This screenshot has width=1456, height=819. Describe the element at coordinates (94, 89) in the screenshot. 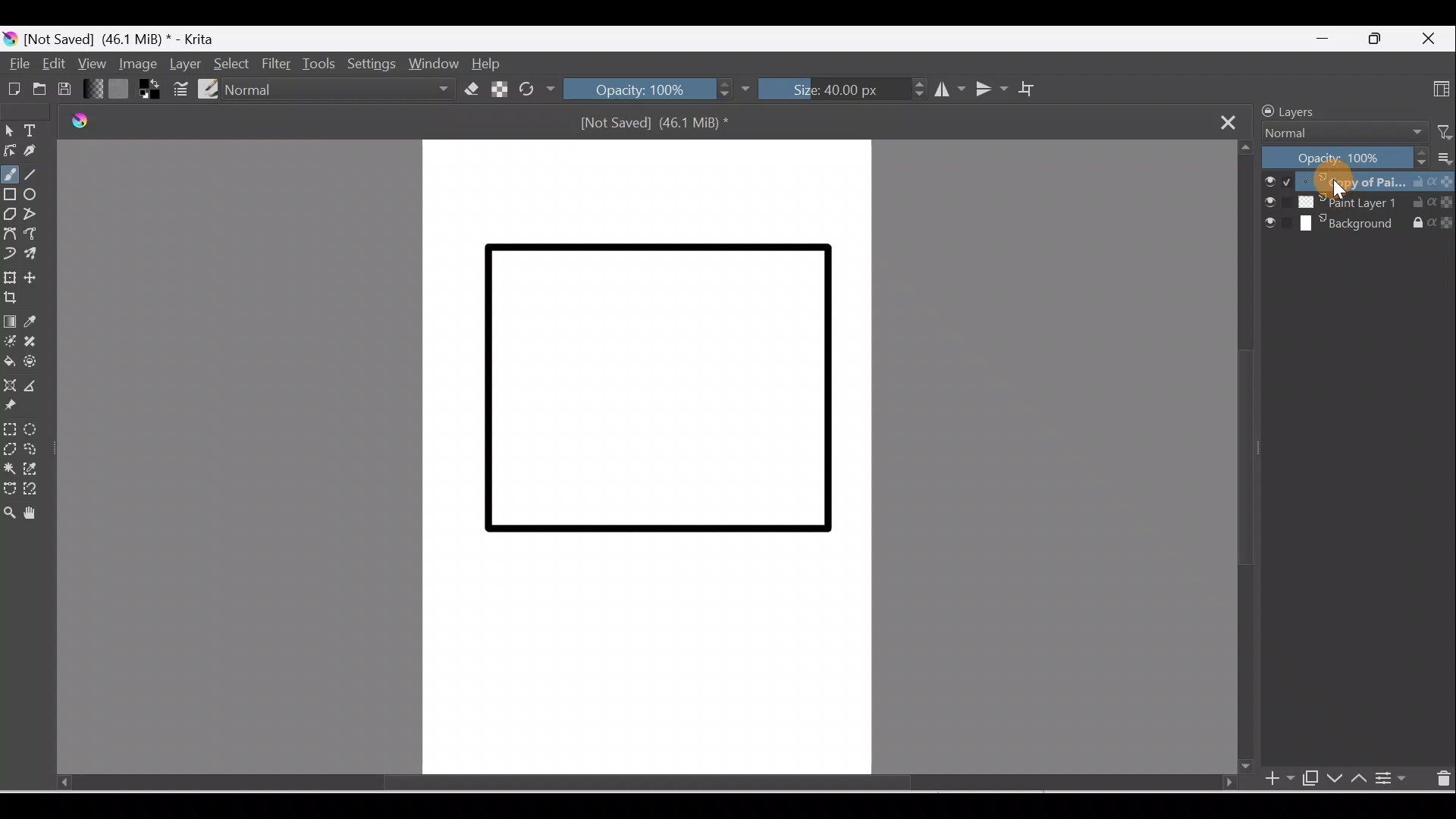

I see `Fill gradients` at that location.